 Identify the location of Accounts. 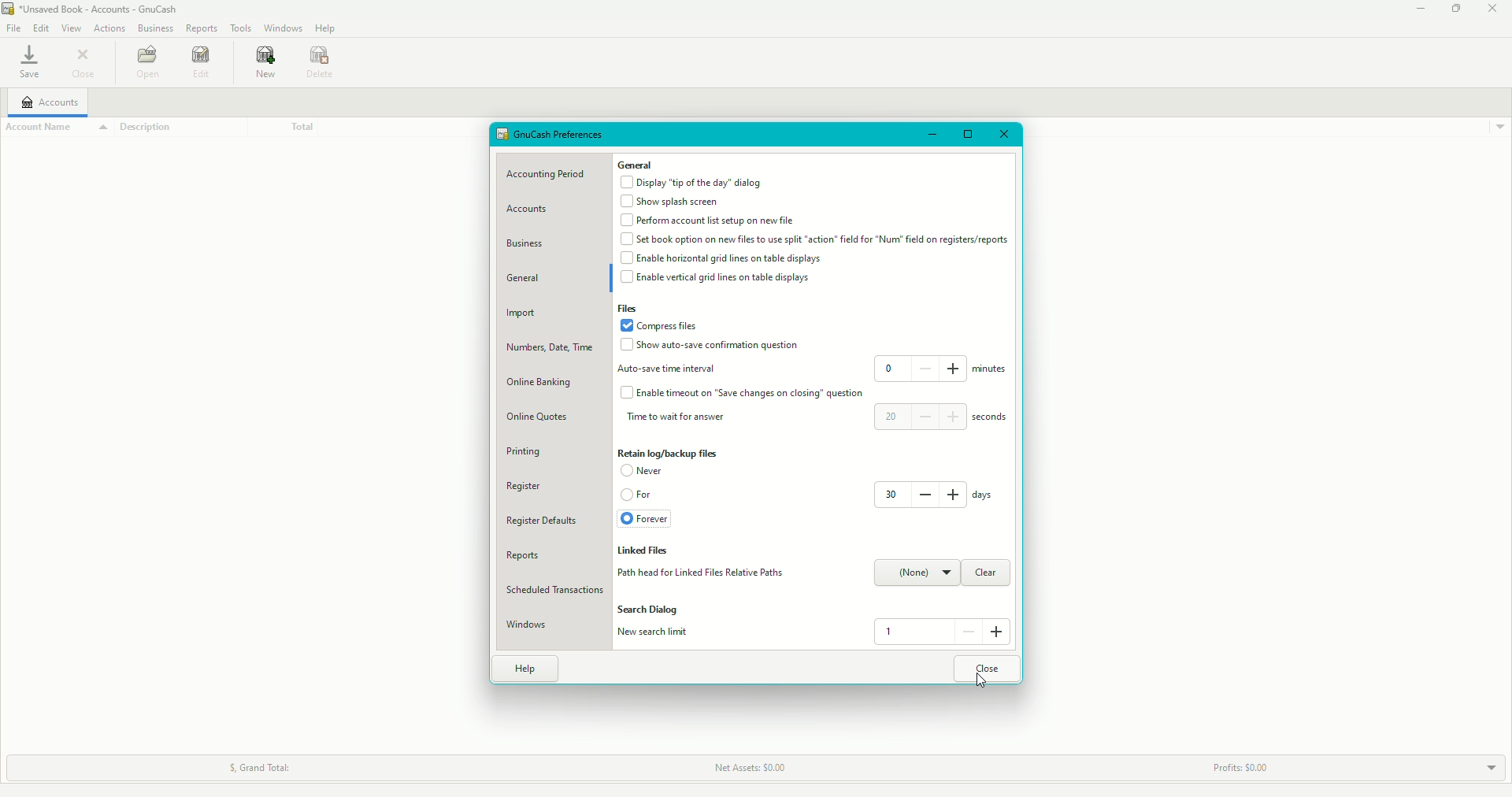
(49, 102).